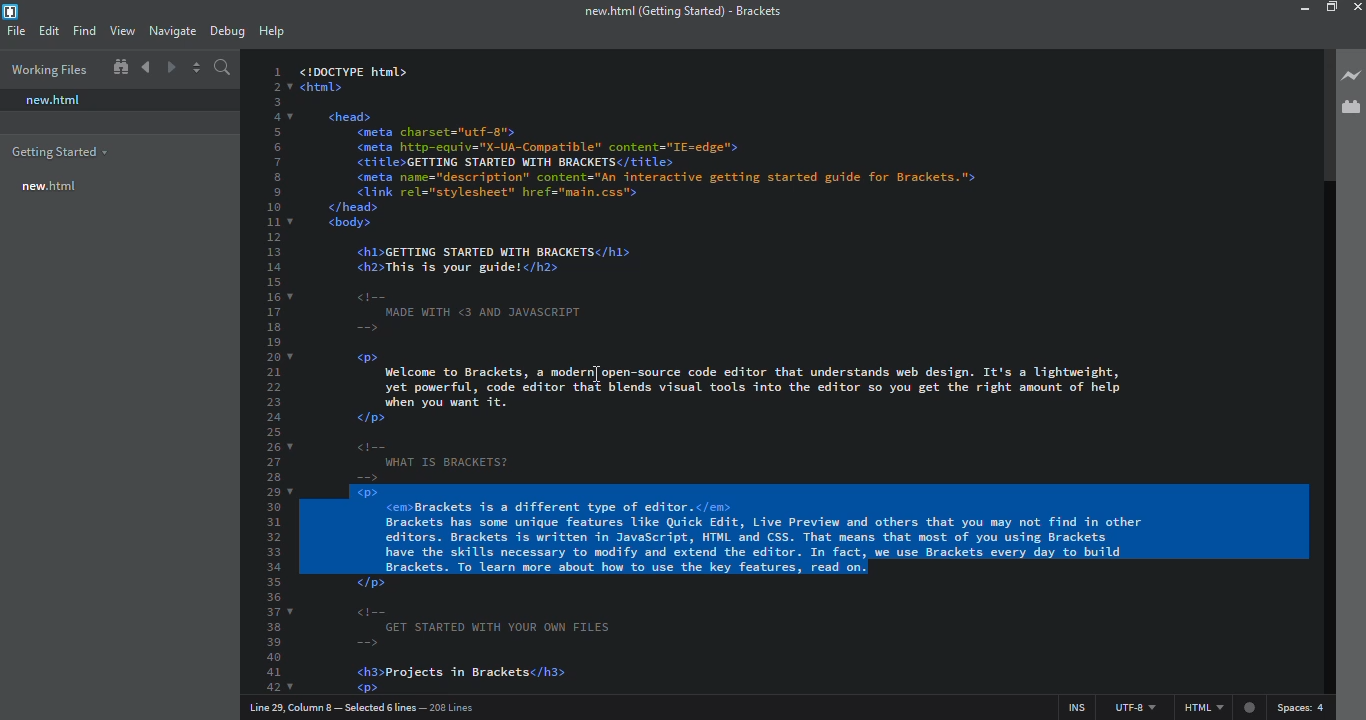  Describe the element at coordinates (16, 30) in the screenshot. I see `file` at that location.